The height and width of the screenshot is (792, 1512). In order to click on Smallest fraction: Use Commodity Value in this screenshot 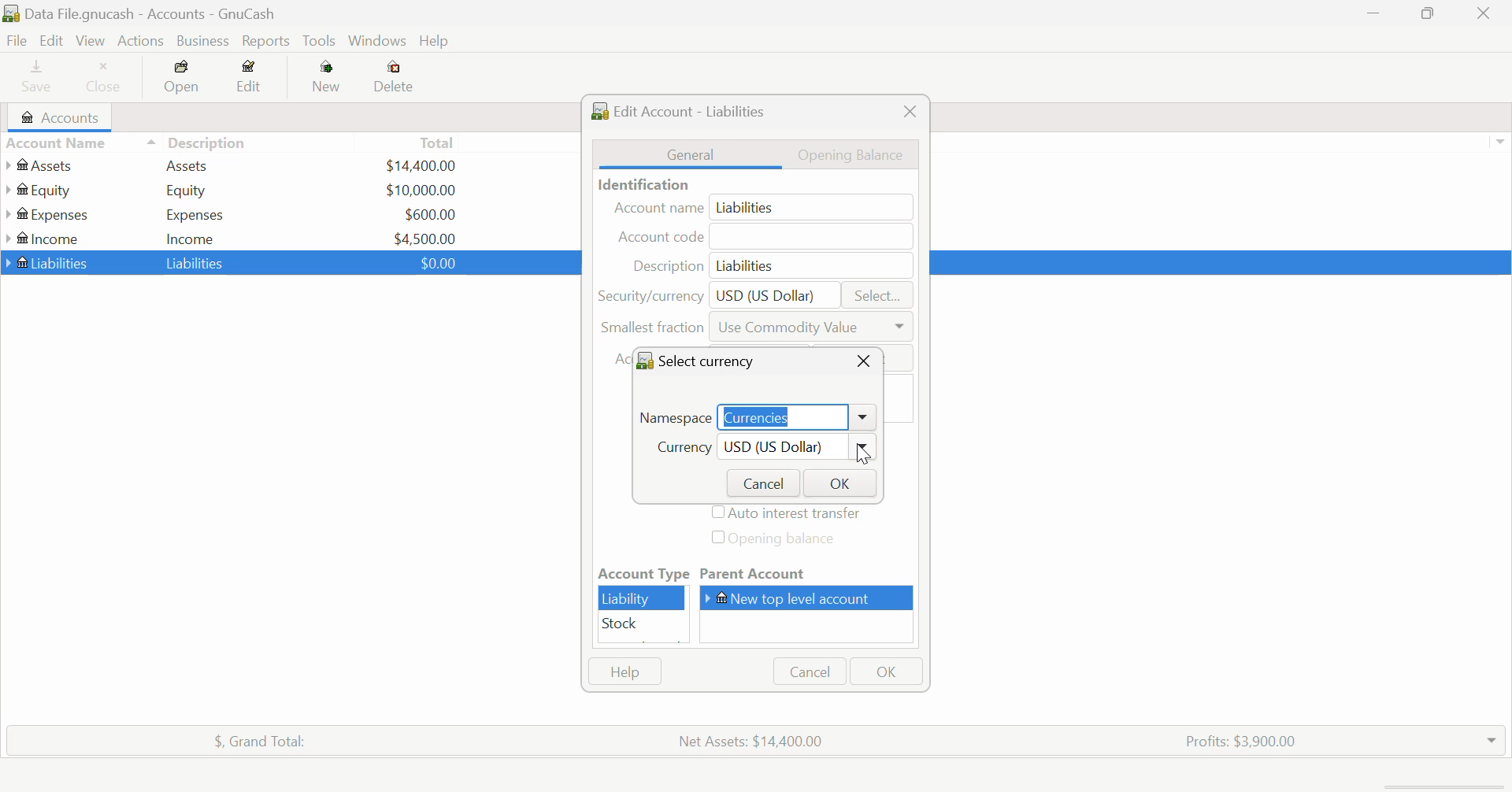, I will do `click(757, 331)`.